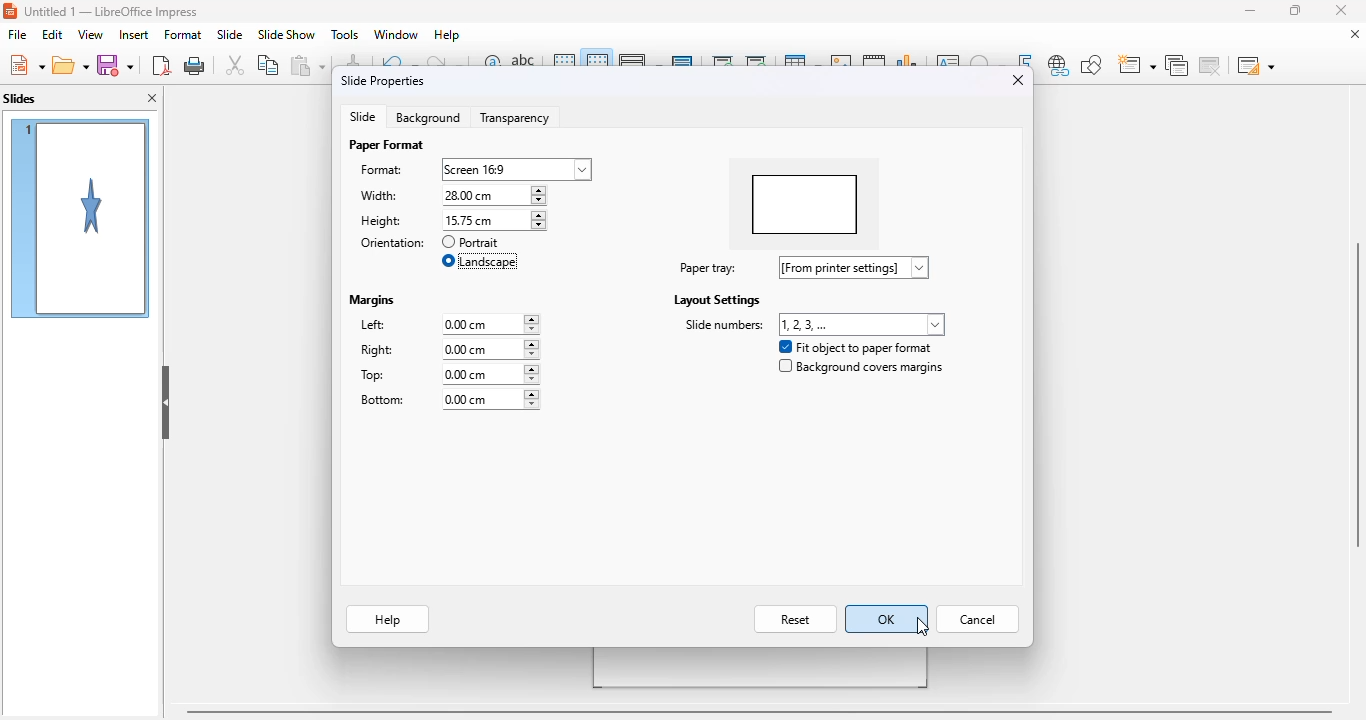 The image size is (1366, 720). What do you see at coordinates (538, 227) in the screenshot?
I see `decrease height` at bounding box center [538, 227].